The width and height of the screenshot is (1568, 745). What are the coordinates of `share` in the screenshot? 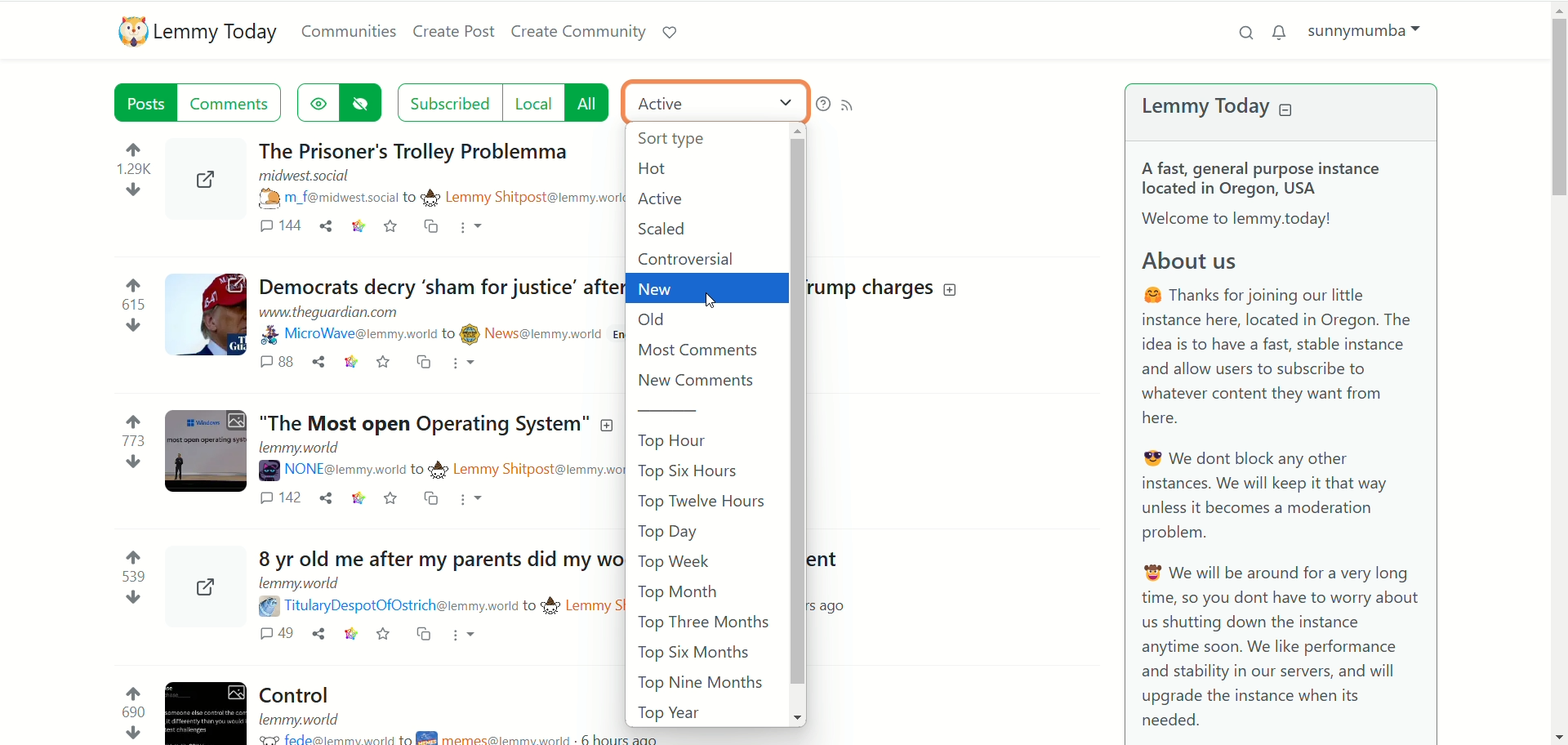 It's located at (323, 502).